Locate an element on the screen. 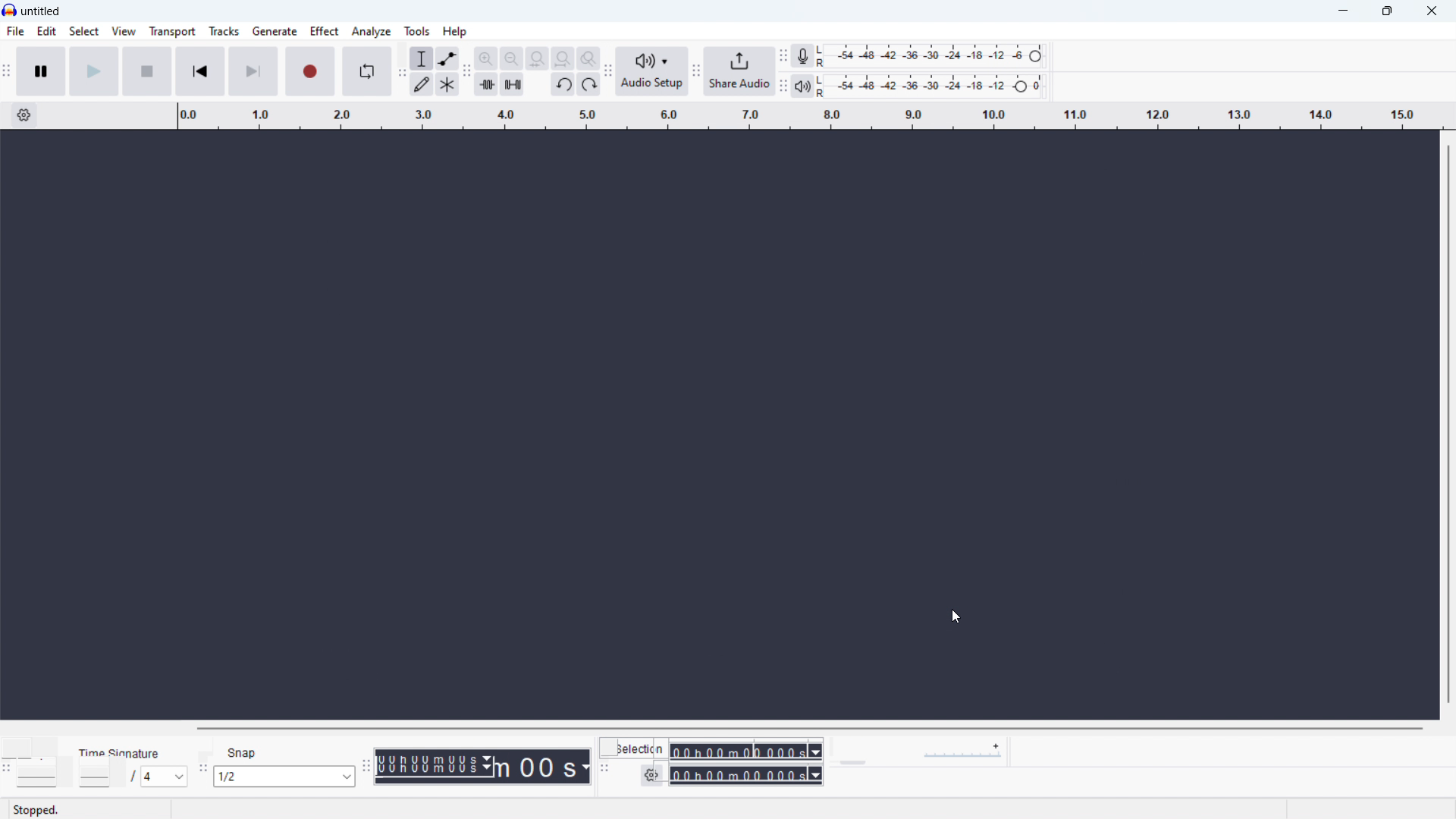 This screenshot has width=1456, height=819. Tempo is located at coordinates (36, 754).